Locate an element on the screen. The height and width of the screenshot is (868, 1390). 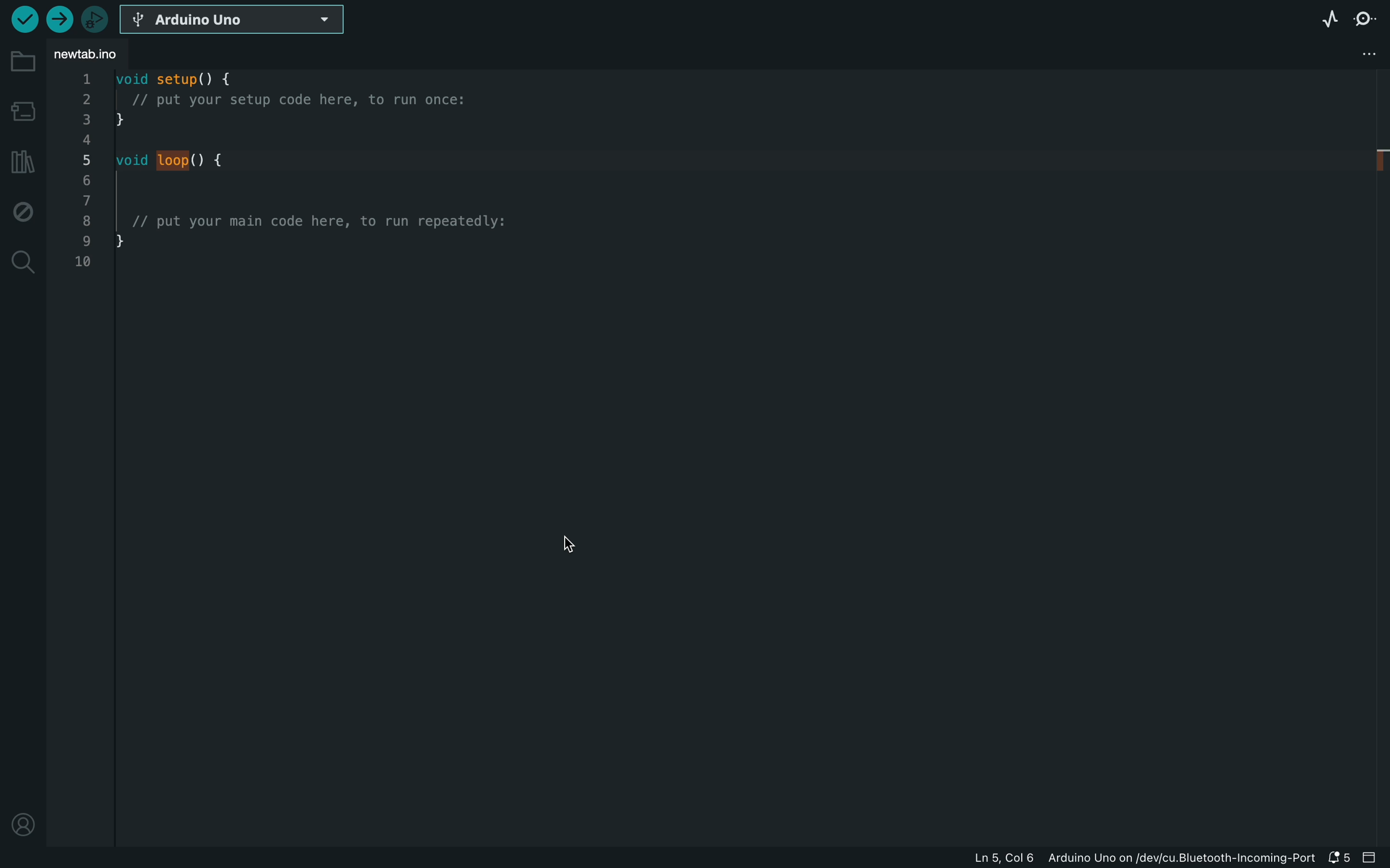
file information is located at coordinates (1145, 859).